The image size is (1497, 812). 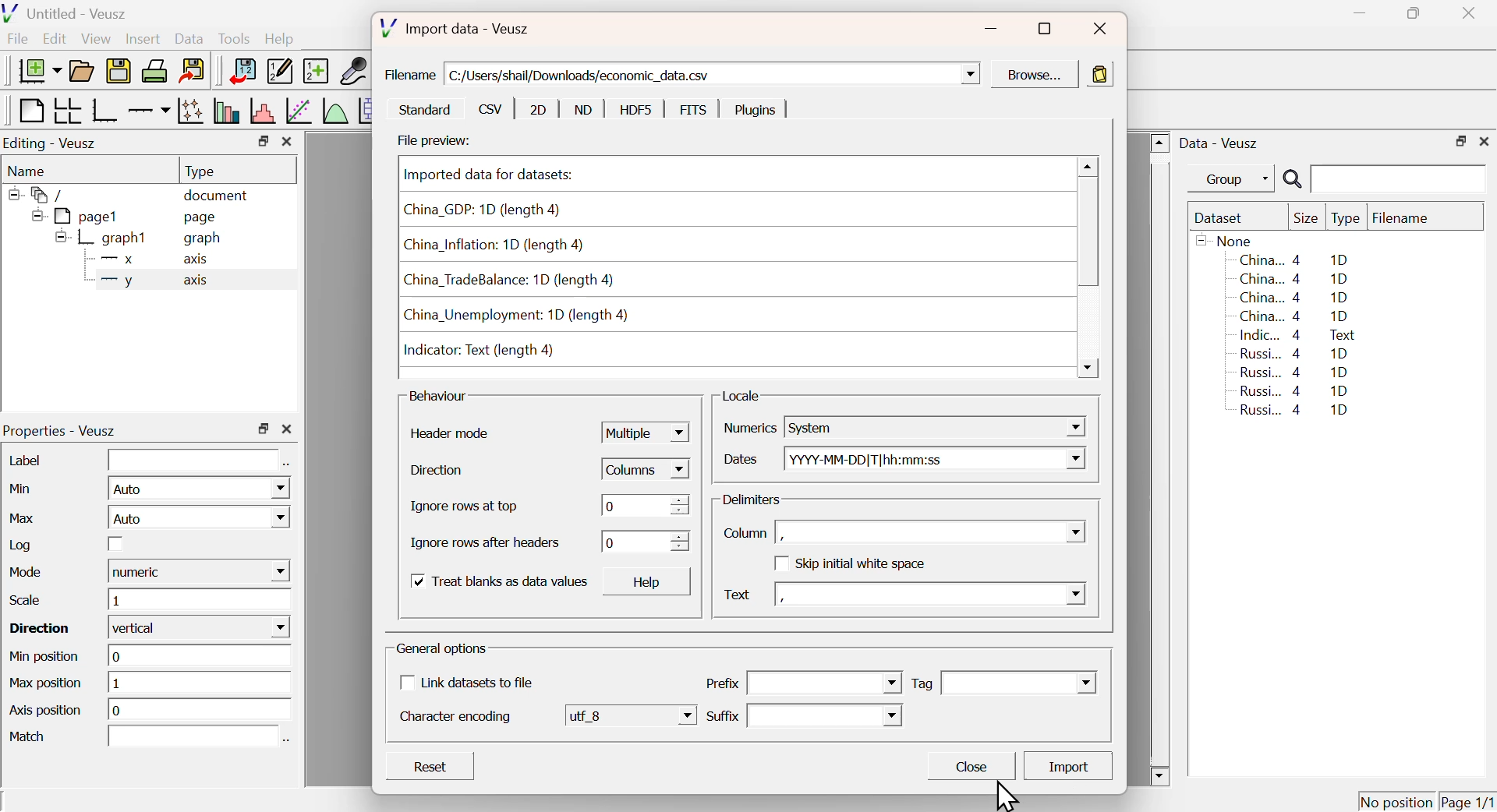 I want to click on Max position, so click(x=48, y=684).